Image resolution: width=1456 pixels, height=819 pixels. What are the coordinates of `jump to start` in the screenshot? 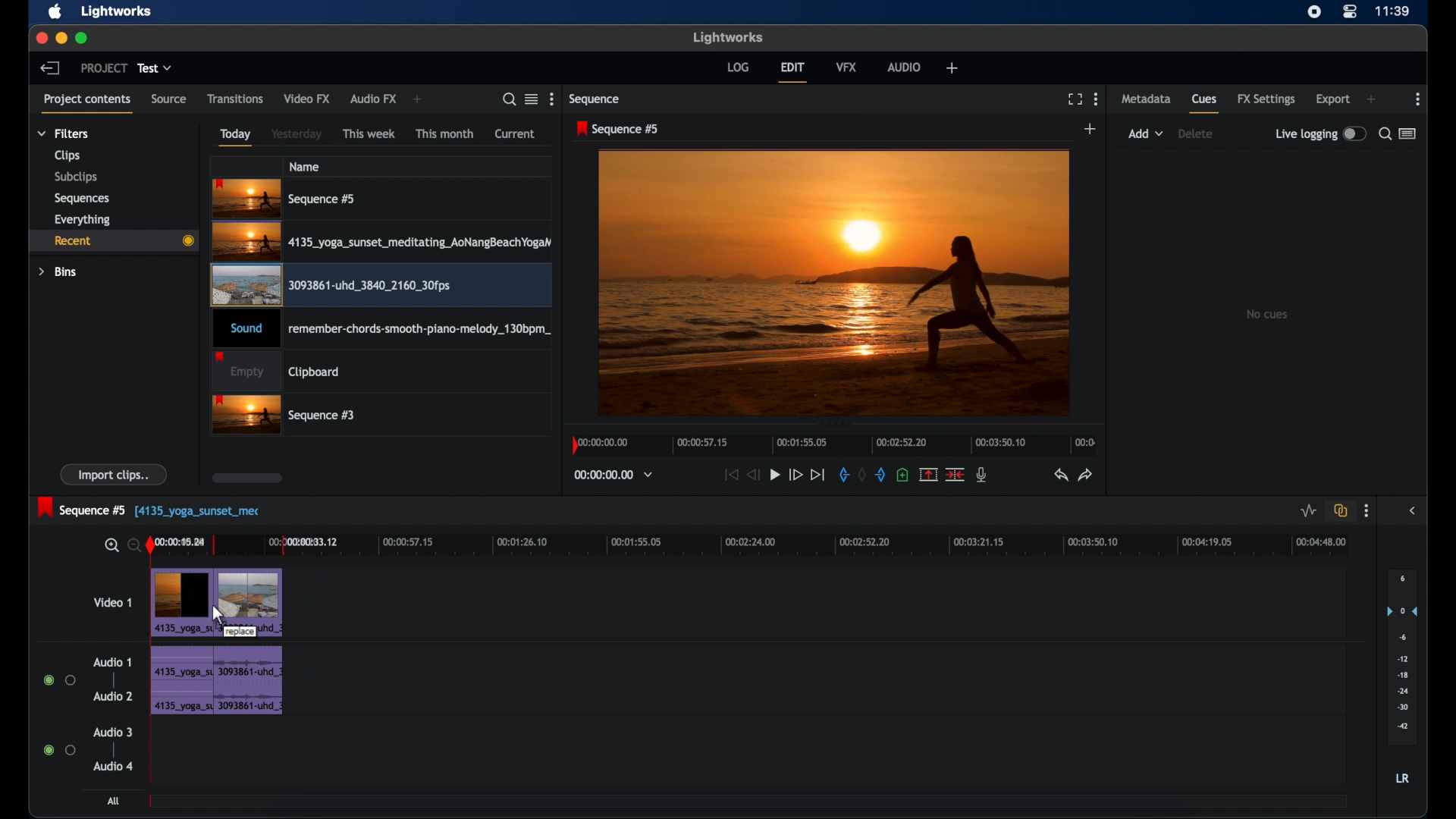 It's located at (729, 474).